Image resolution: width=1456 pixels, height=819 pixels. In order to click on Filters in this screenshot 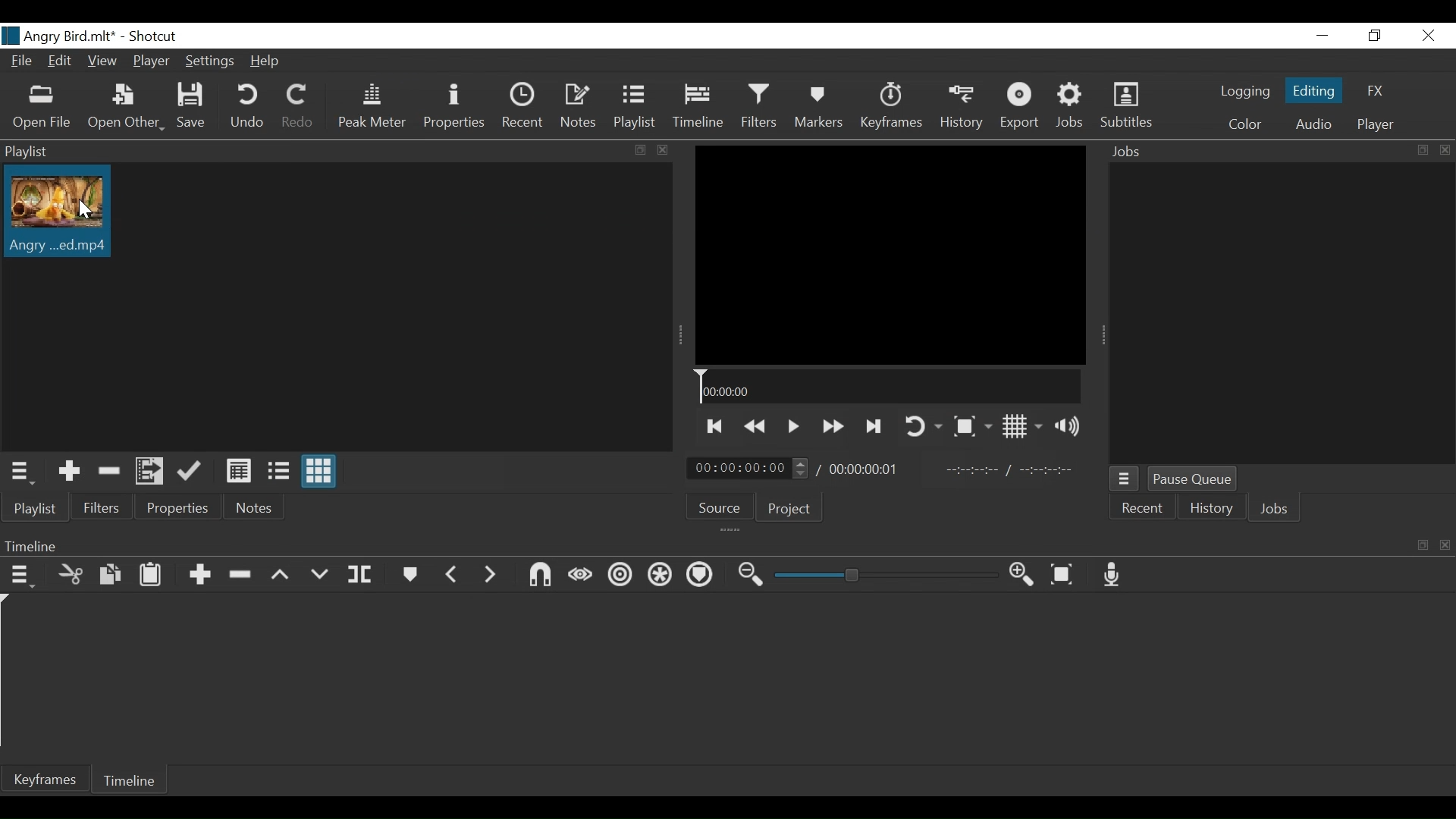, I will do `click(759, 106)`.